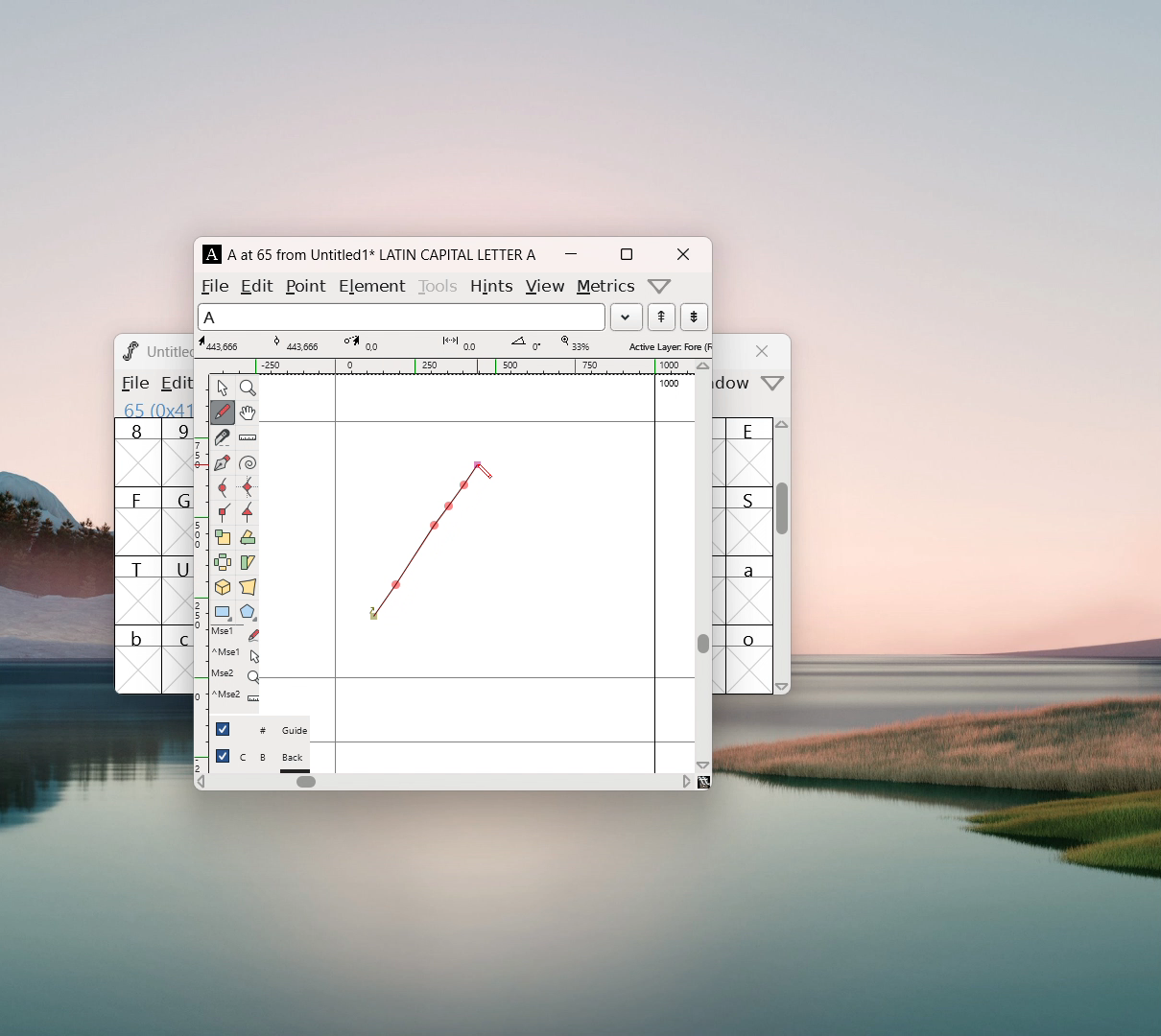 The image size is (1161, 1036). What do you see at coordinates (223, 589) in the screenshot?
I see `rotate the selection to 3D and project back to plane` at bounding box center [223, 589].